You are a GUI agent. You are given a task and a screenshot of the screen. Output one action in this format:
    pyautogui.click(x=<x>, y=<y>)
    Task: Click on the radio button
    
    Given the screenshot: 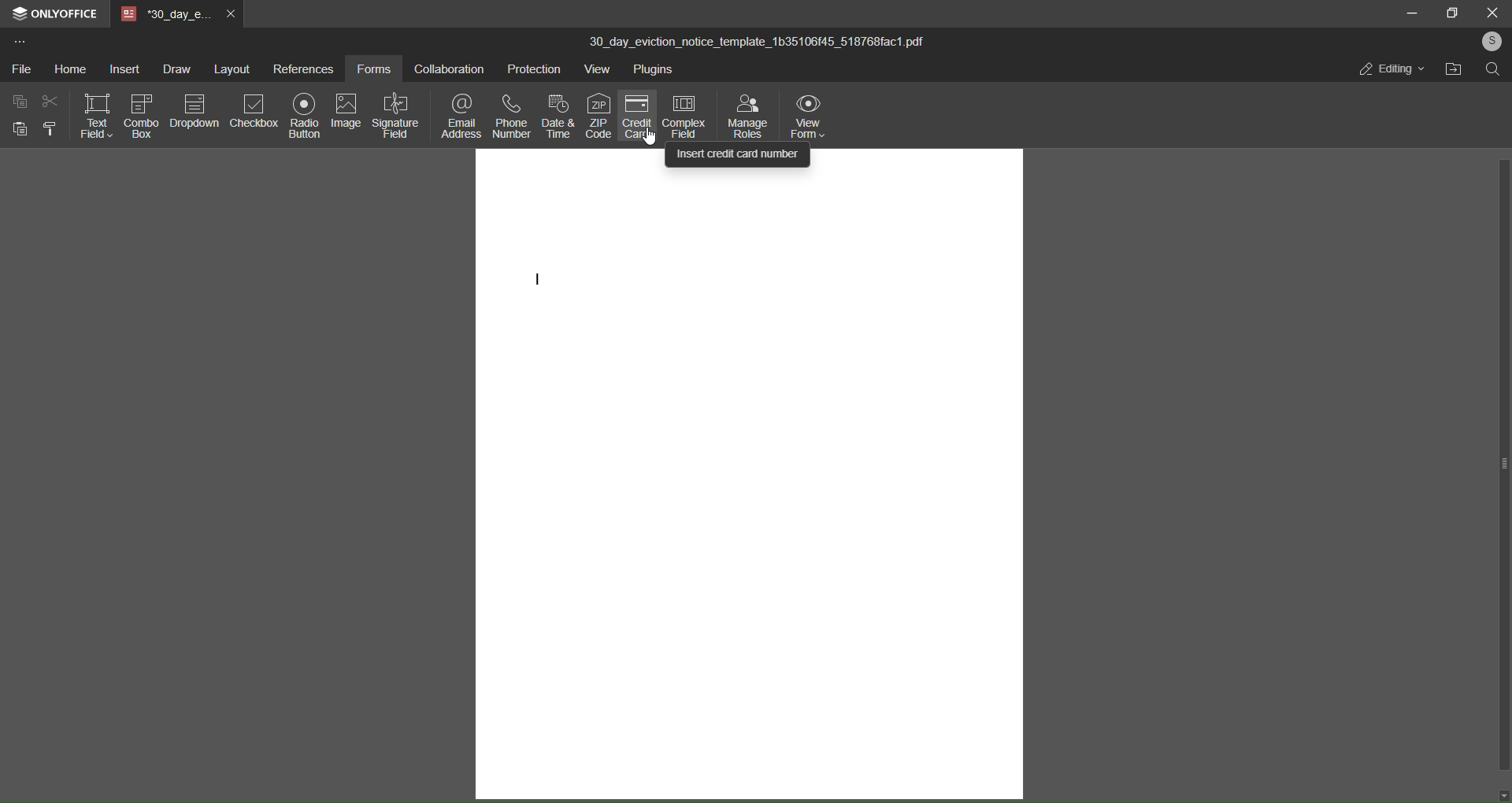 What is the action you would take?
    pyautogui.click(x=303, y=118)
    